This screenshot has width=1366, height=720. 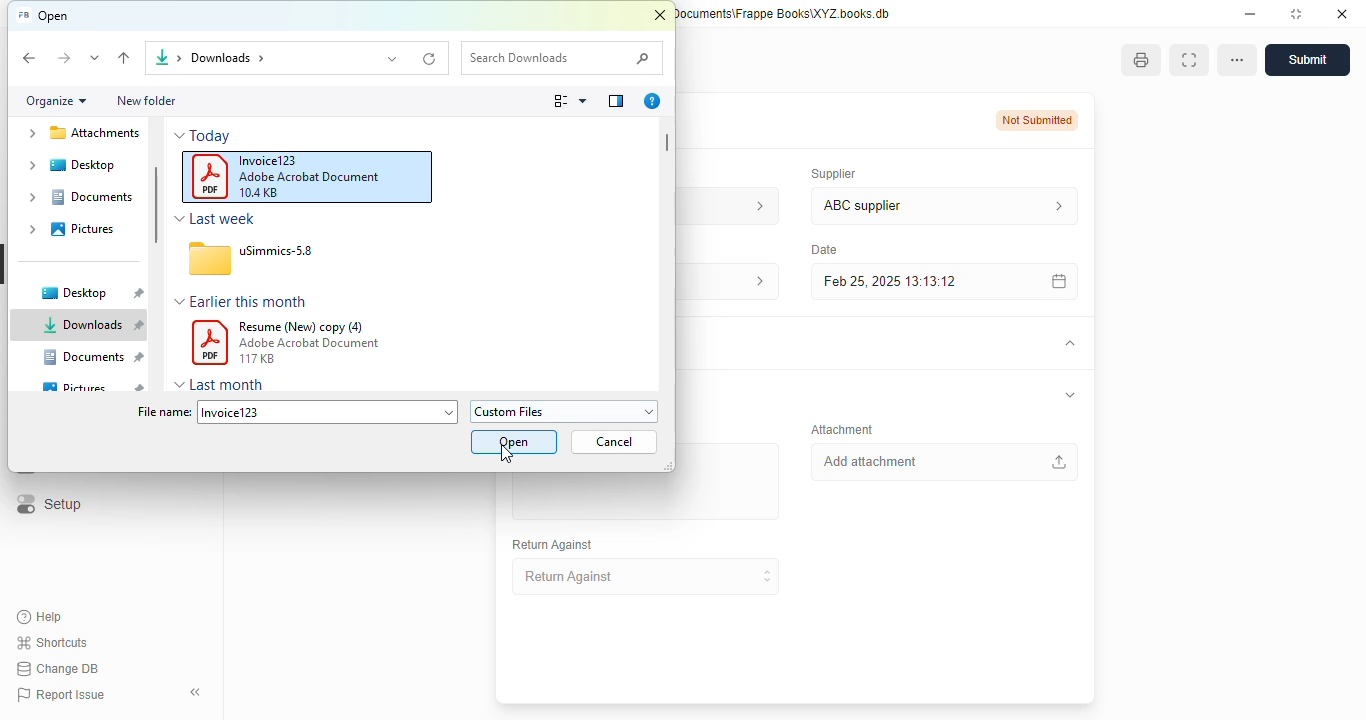 What do you see at coordinates (616, 101) in the screenshot?
I see `show the preview pane` at bounding box center [616, 101].